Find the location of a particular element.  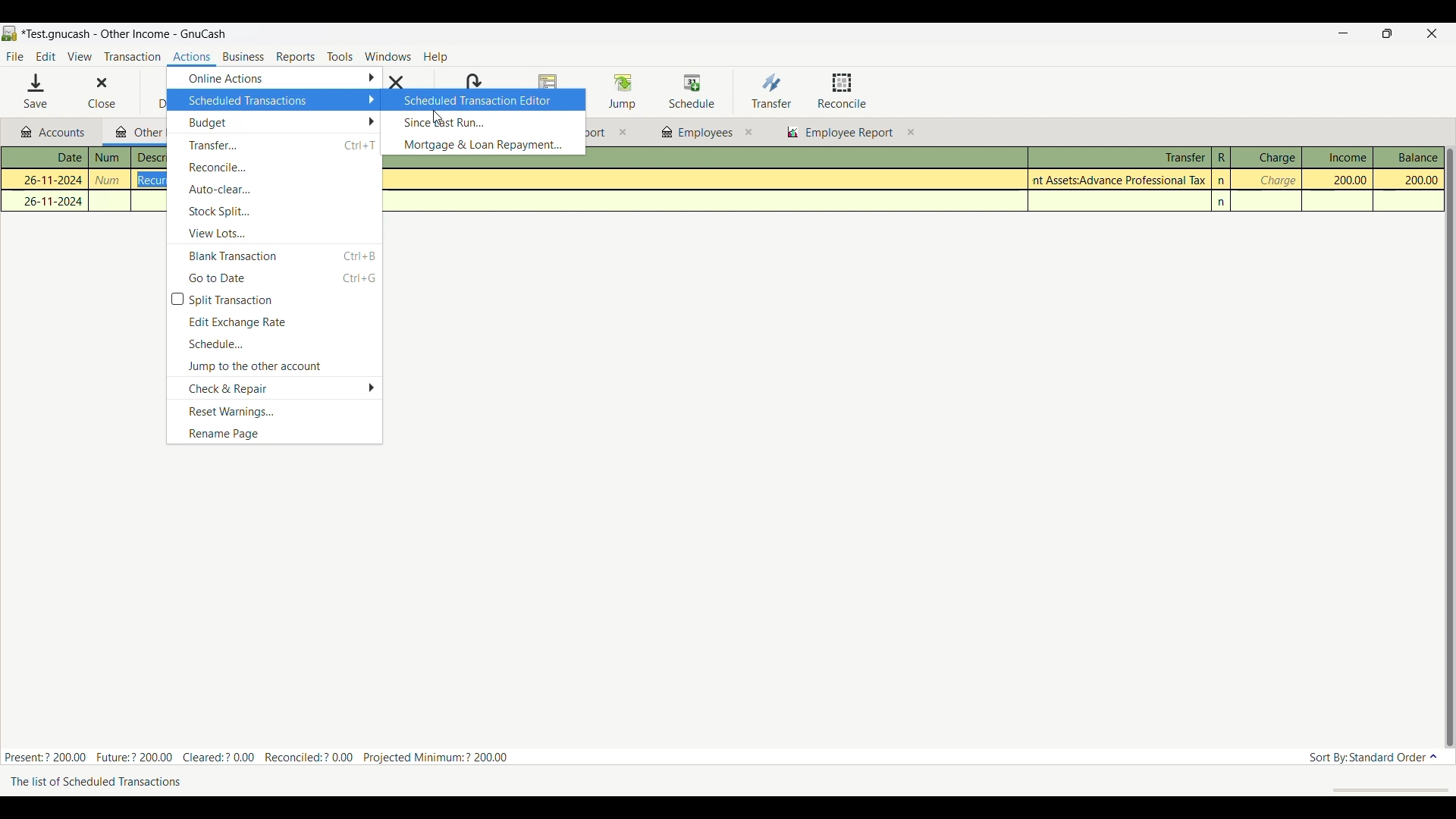

R column is located at coordinates (1220, 158).